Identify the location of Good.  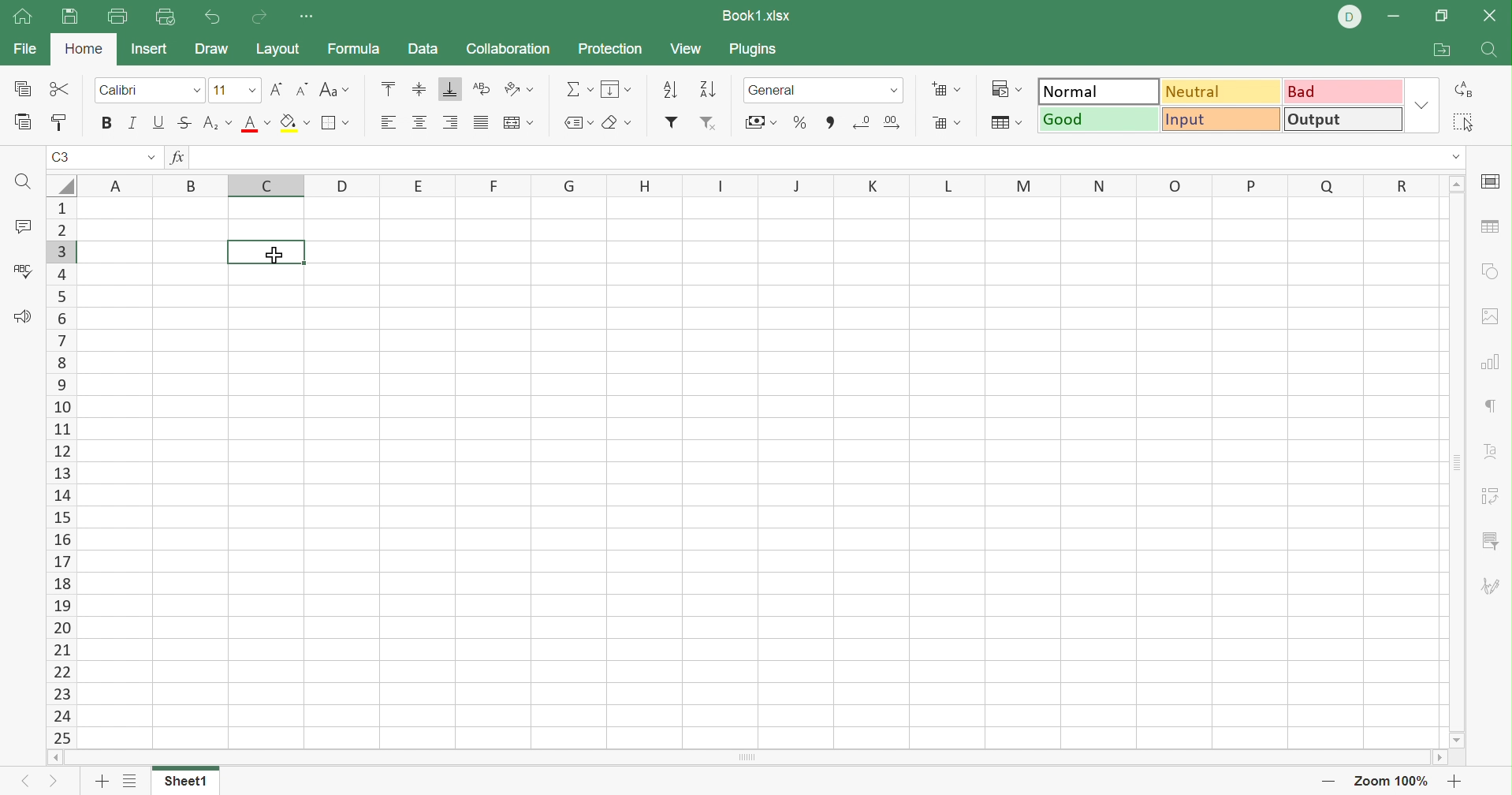
(1097, 118).